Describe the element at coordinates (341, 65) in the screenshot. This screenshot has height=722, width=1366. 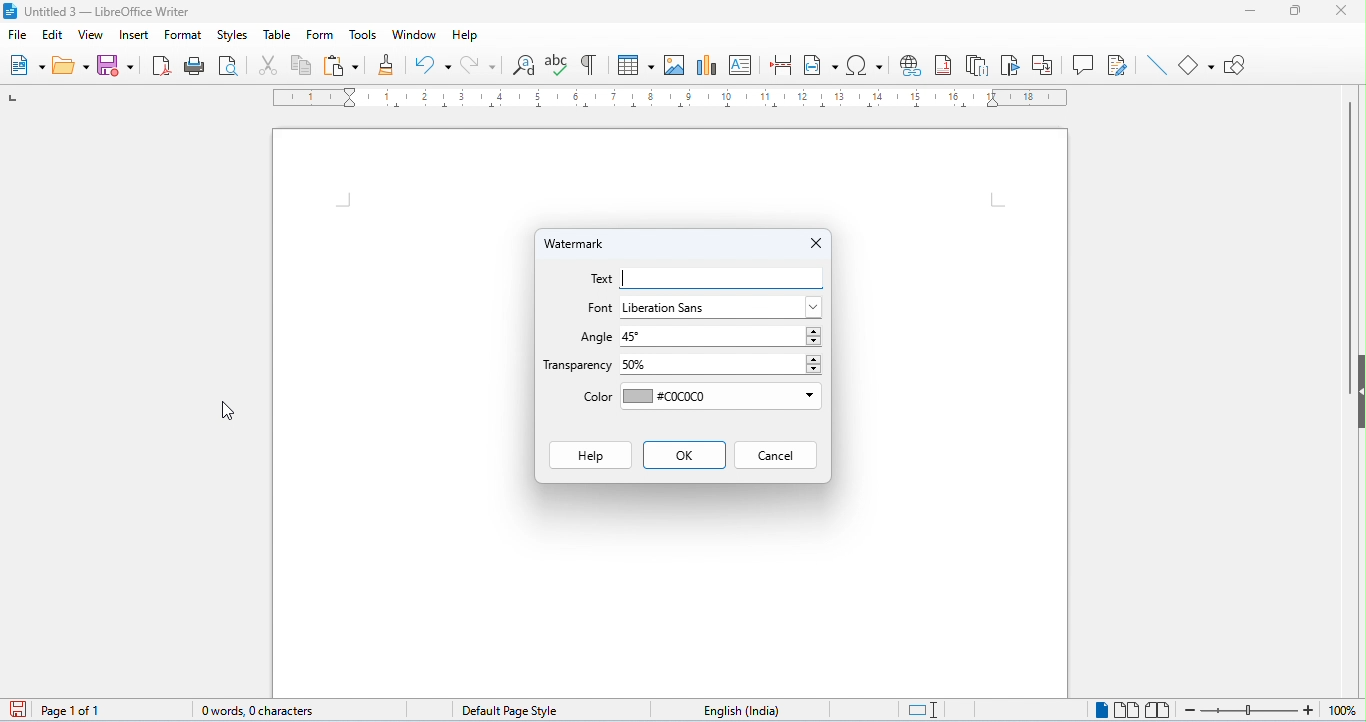
I see `paste` at that location.